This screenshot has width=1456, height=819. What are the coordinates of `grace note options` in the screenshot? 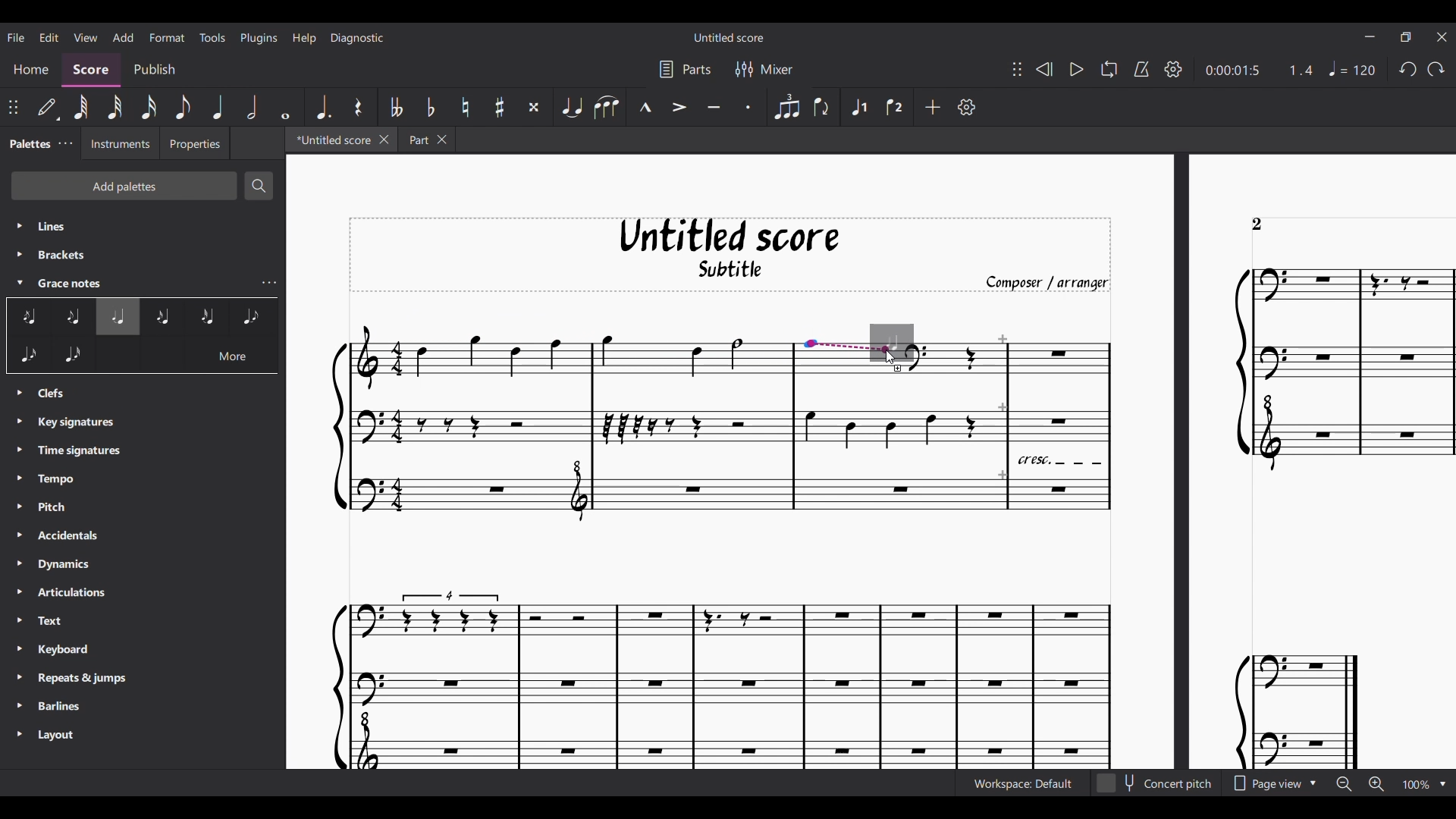 It's located at (206, 318).